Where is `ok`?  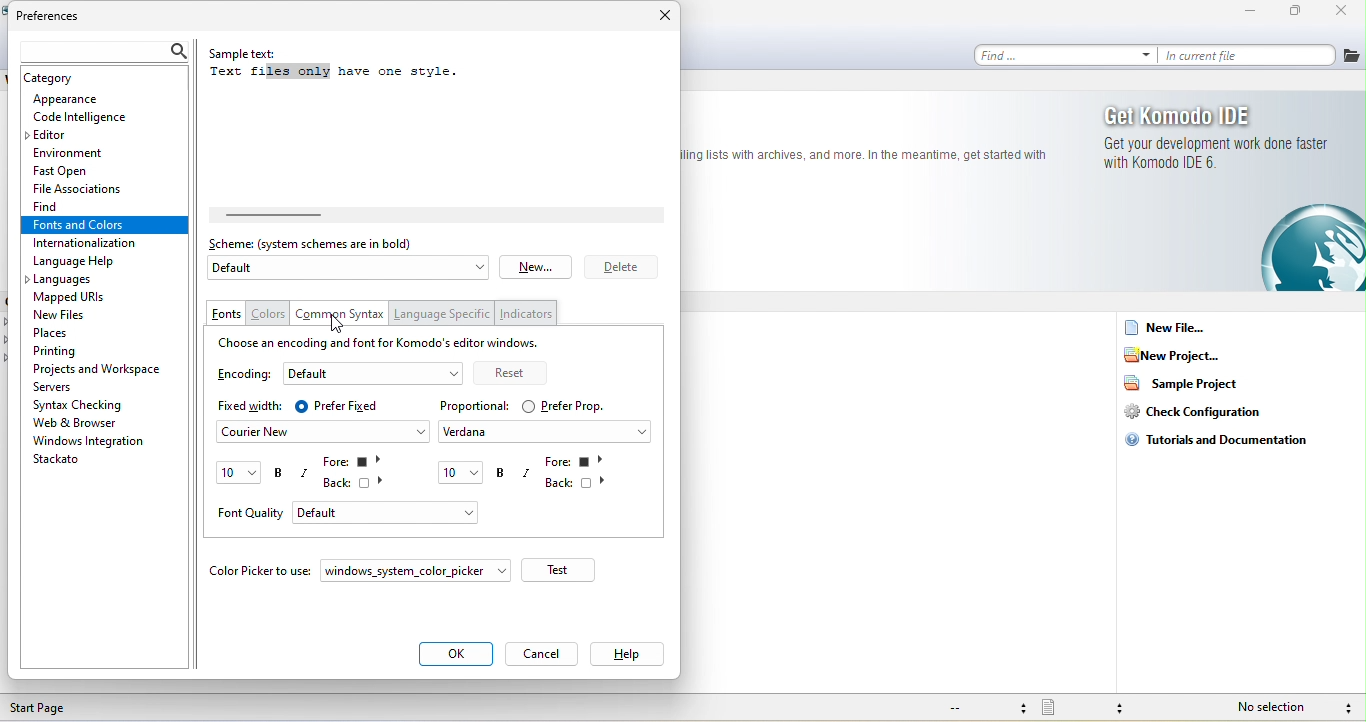 ok is located at coordinates (458, 653).